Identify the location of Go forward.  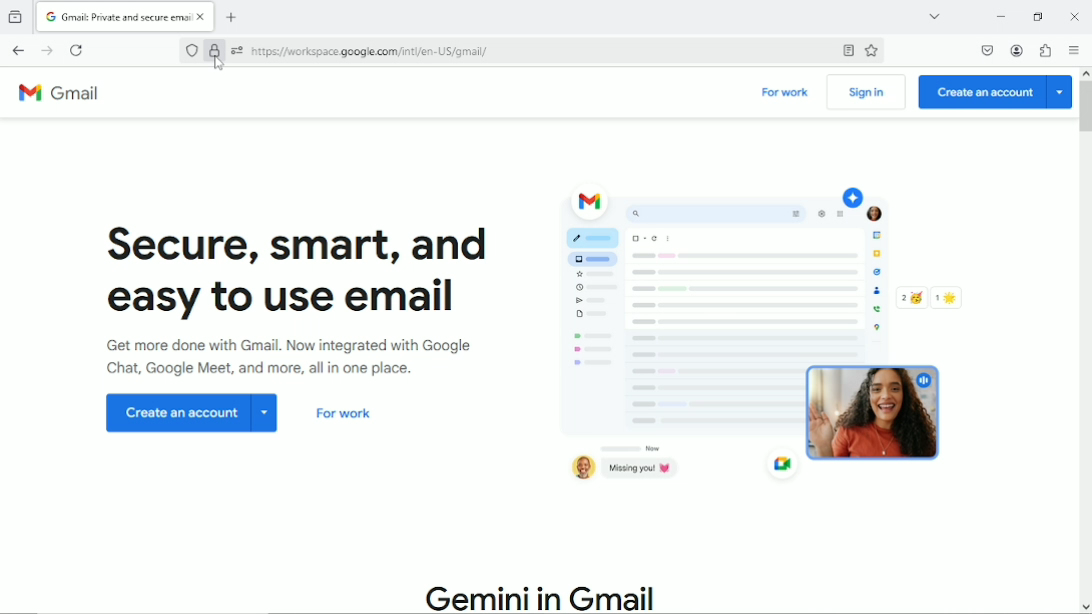
(47, 51).